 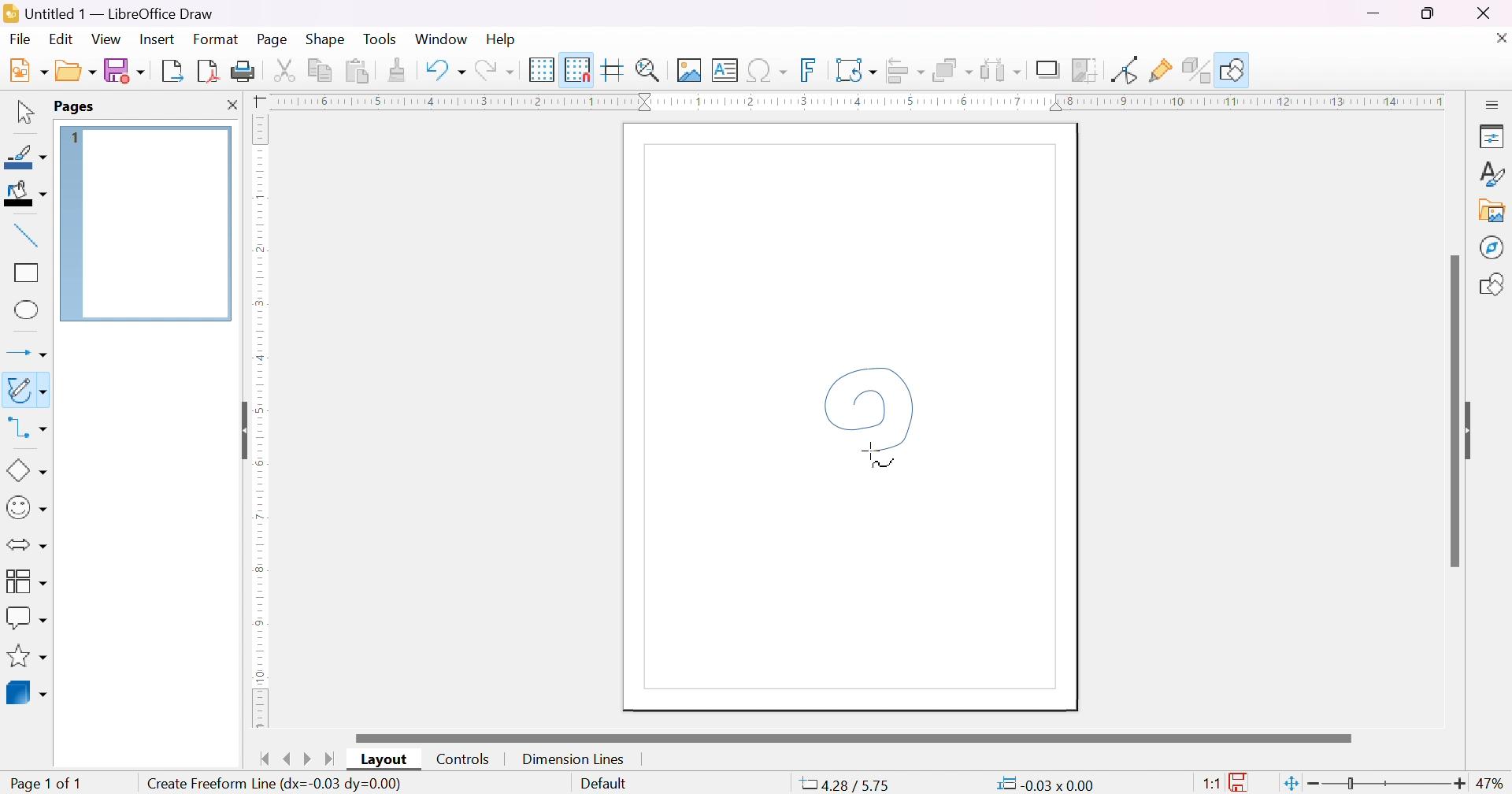 I want to click on ruler, so click(x=258, y=269).